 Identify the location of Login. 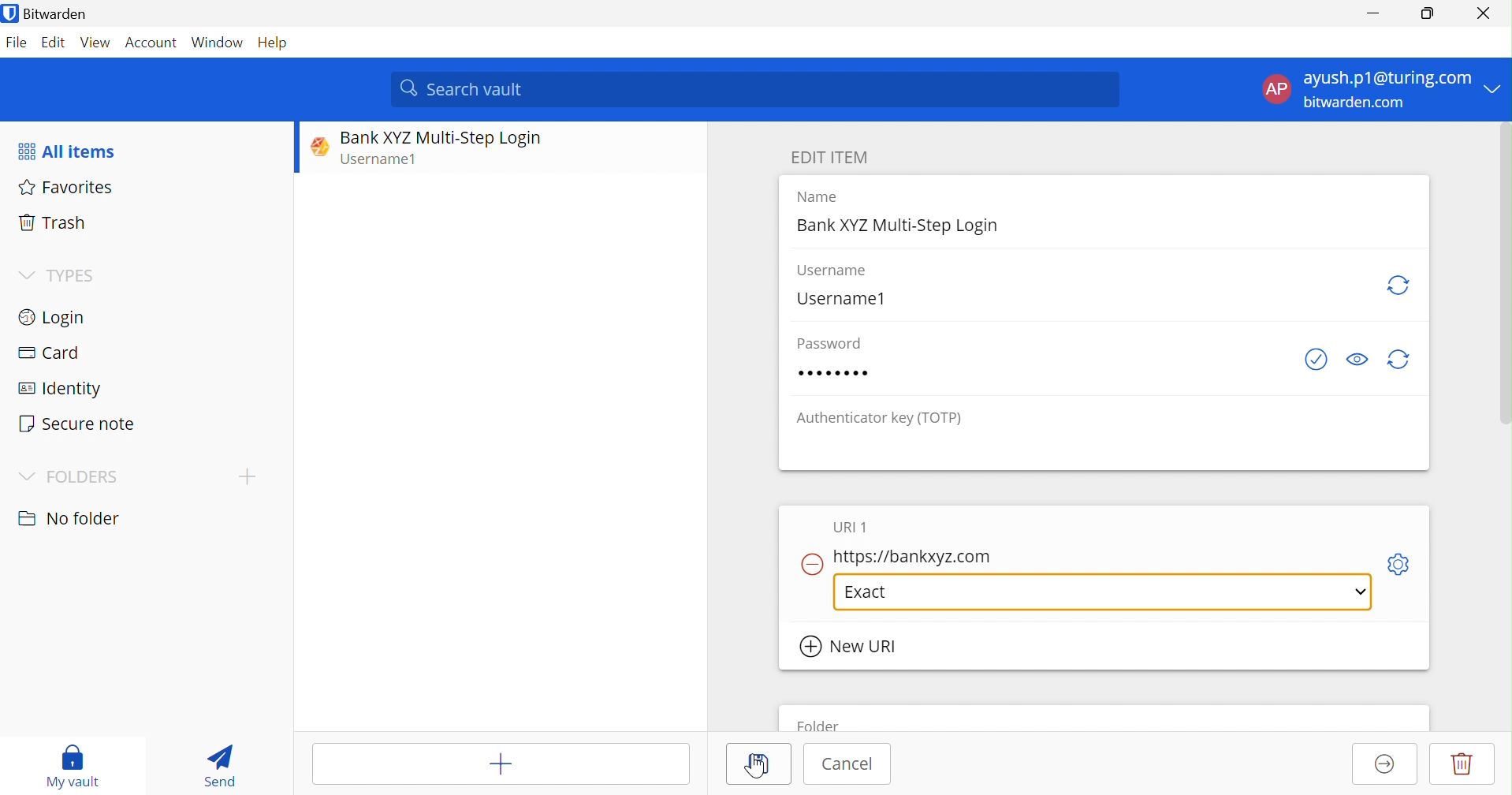
(50, 317).